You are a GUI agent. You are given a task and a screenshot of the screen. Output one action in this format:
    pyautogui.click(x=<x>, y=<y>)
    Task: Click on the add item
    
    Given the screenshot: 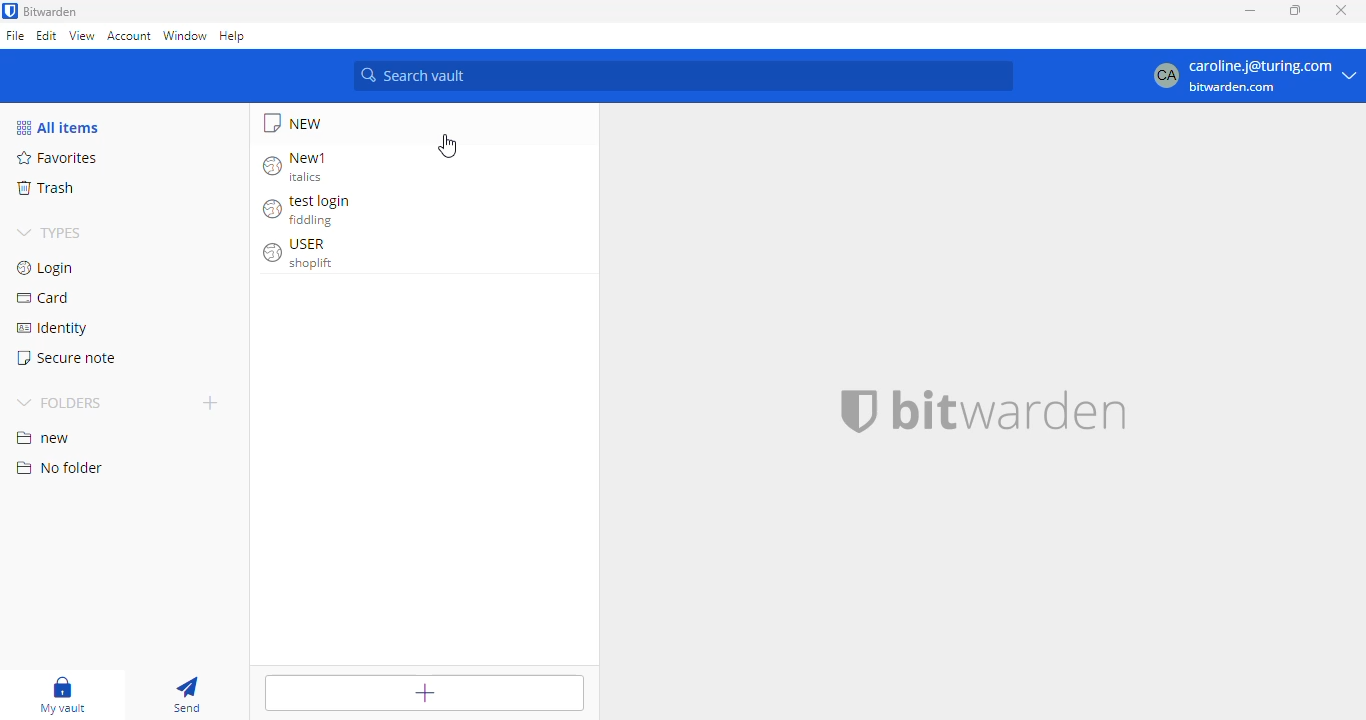 What is the action you would take?
    pyautogui.click(x=425, y=694)
    